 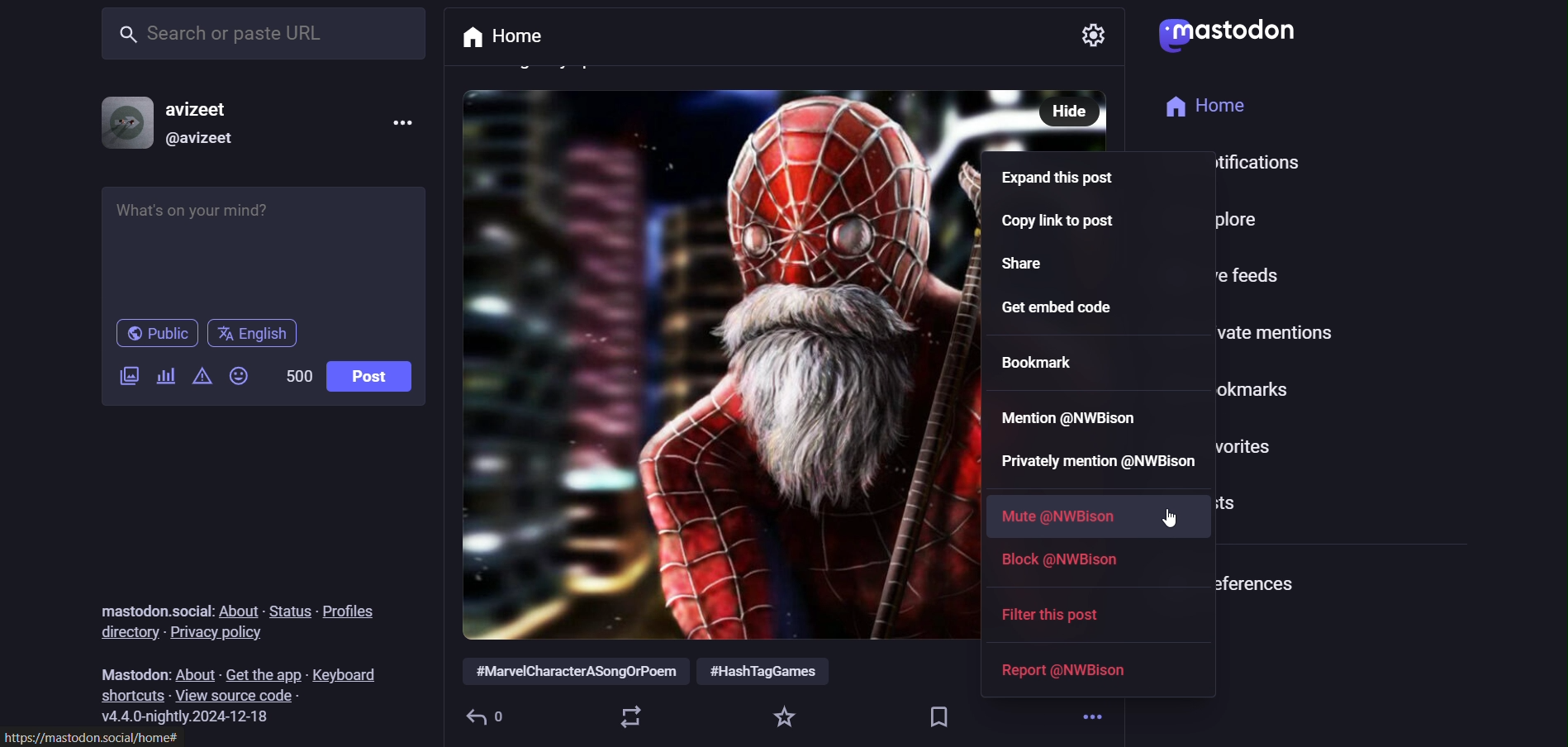 What do you see at coordinates (1069, 565) in the screenshot?
I see `block user` at bounding box center [1069, 565].